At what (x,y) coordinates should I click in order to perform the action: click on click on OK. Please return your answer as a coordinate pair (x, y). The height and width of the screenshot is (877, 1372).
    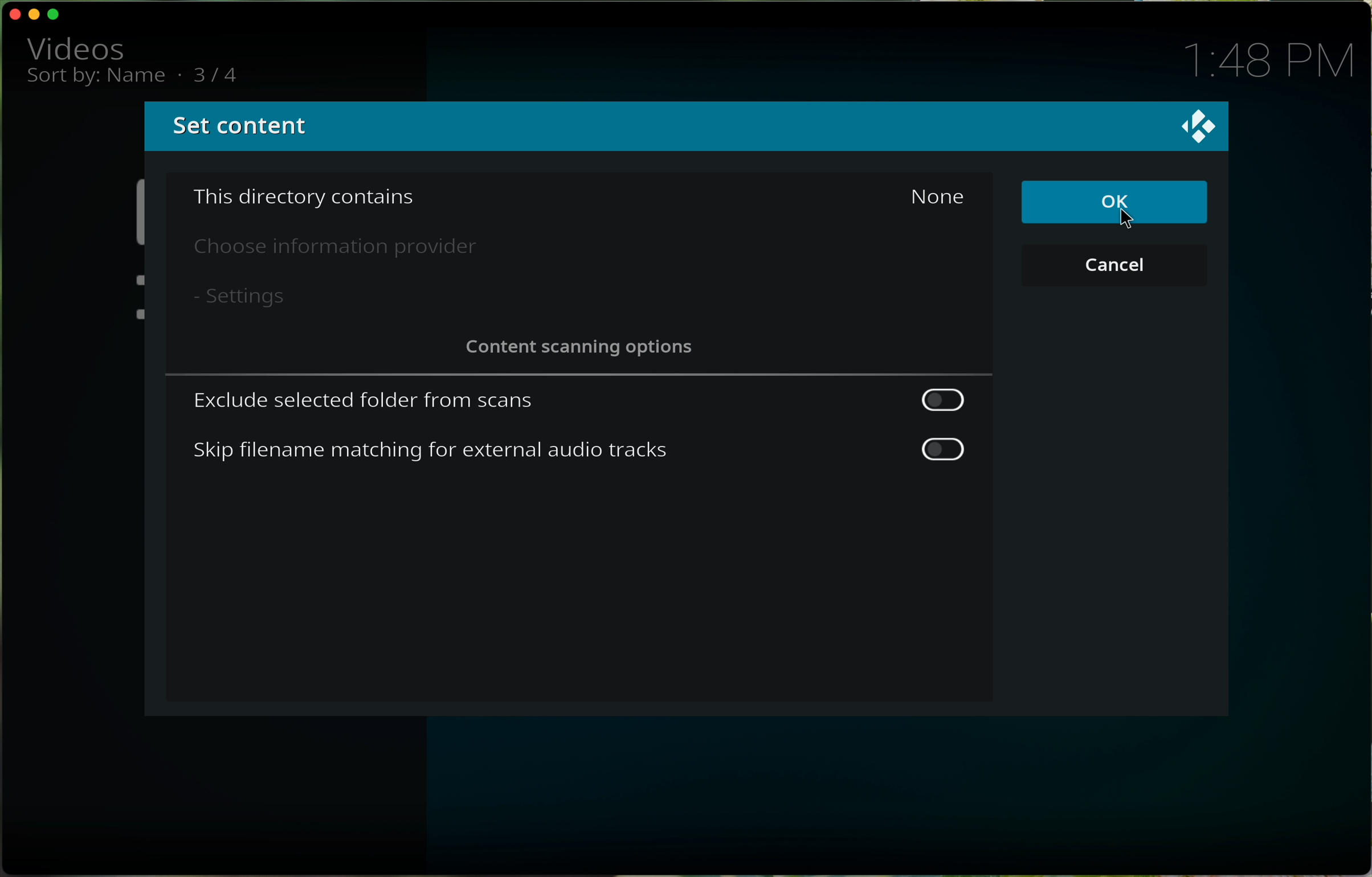
    Looking at the image, I should click on (1116, 203).